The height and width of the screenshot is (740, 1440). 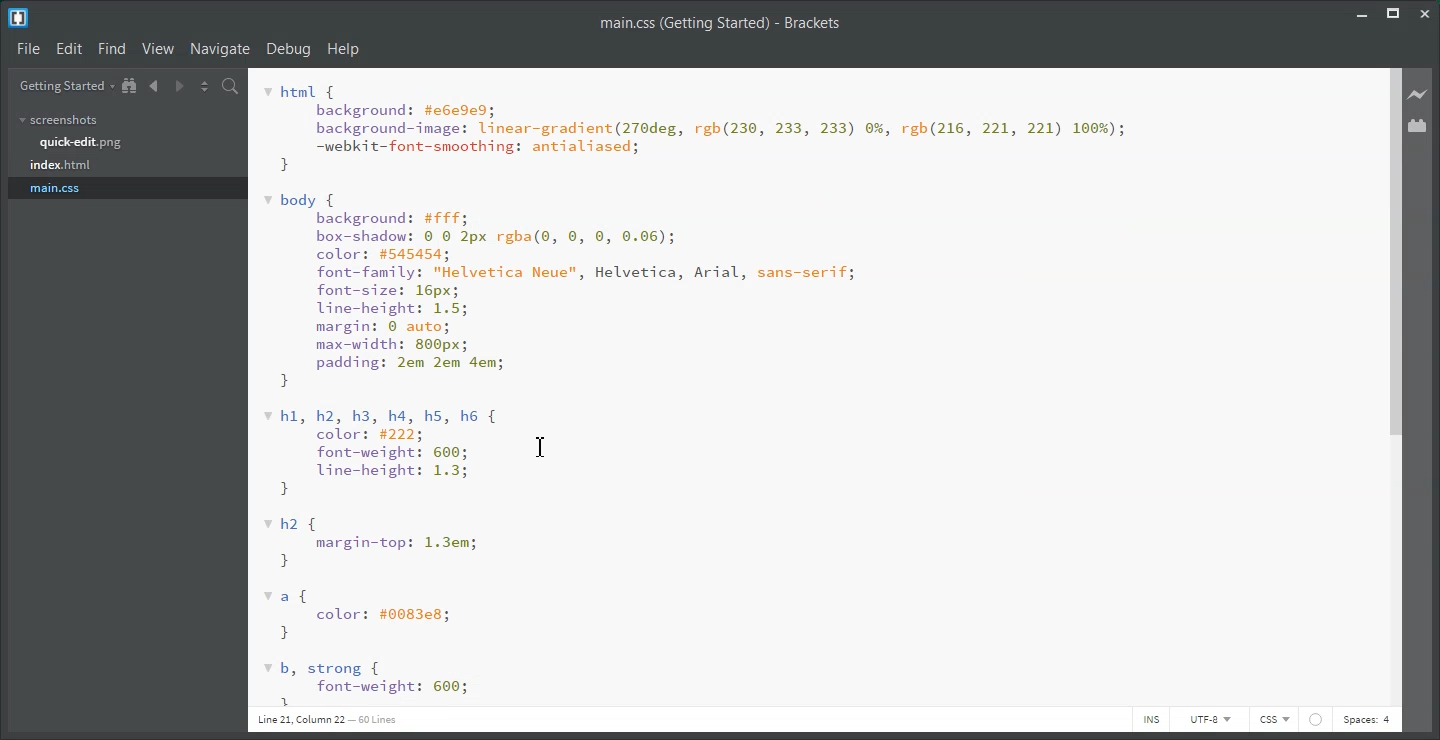 I want to click on Extension Manager, so click(x=1424, y=124).